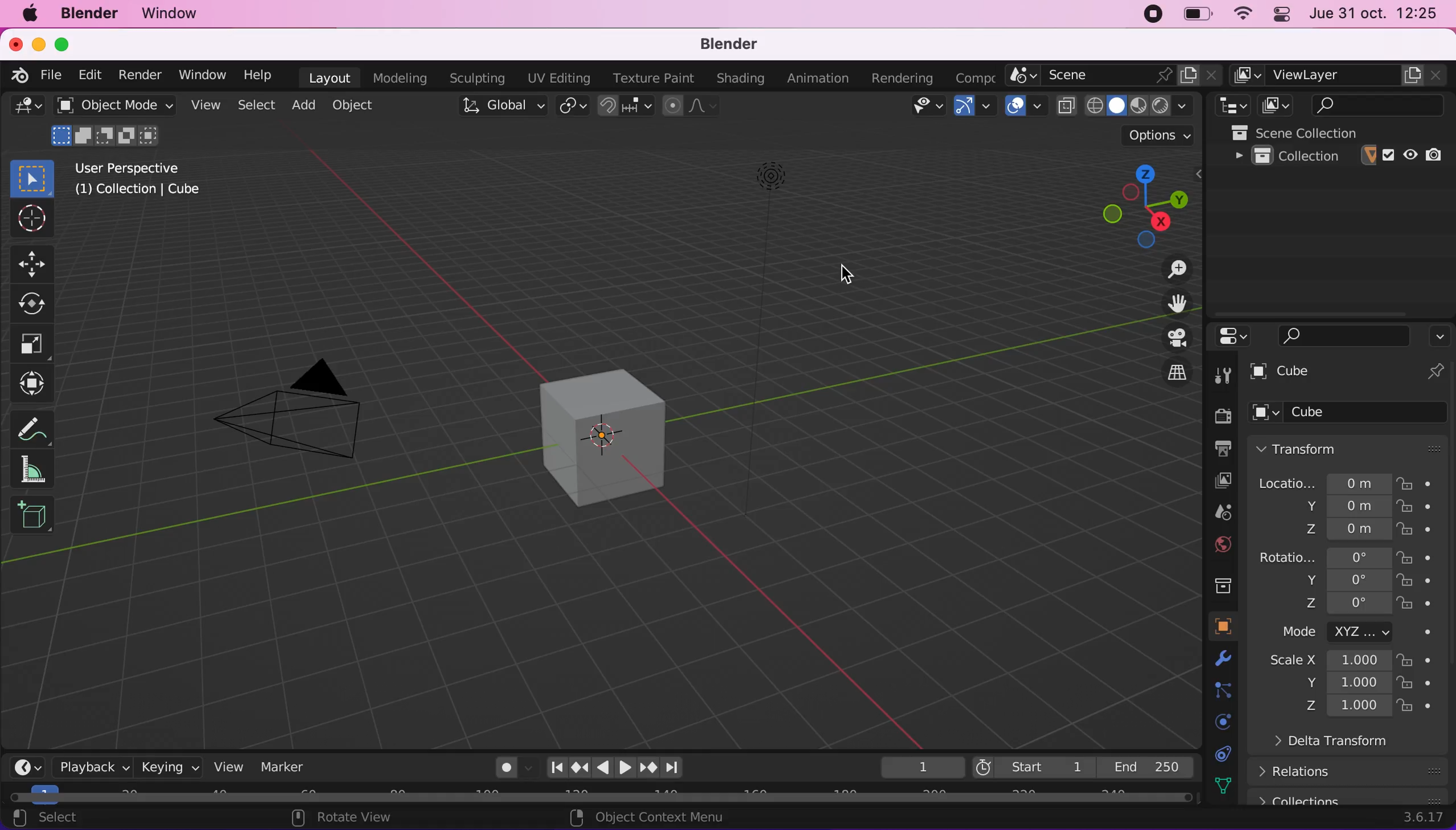 The image size is (1456, 830). I want to click on jue 31 oct 12:25, so click(1376, 14).